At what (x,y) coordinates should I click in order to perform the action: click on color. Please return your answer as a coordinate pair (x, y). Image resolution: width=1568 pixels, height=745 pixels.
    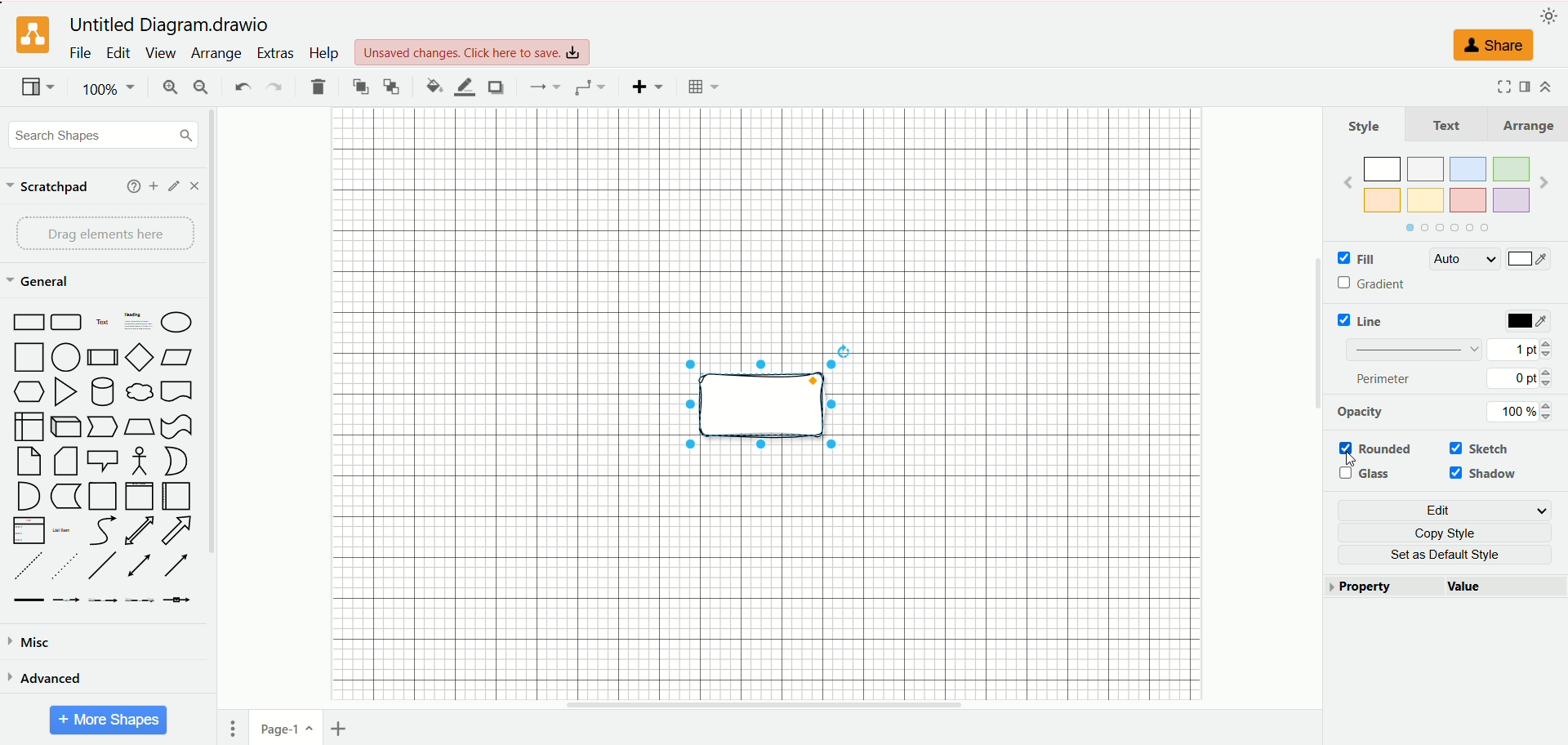
    Looking at the image, I should click on (1530, 322).